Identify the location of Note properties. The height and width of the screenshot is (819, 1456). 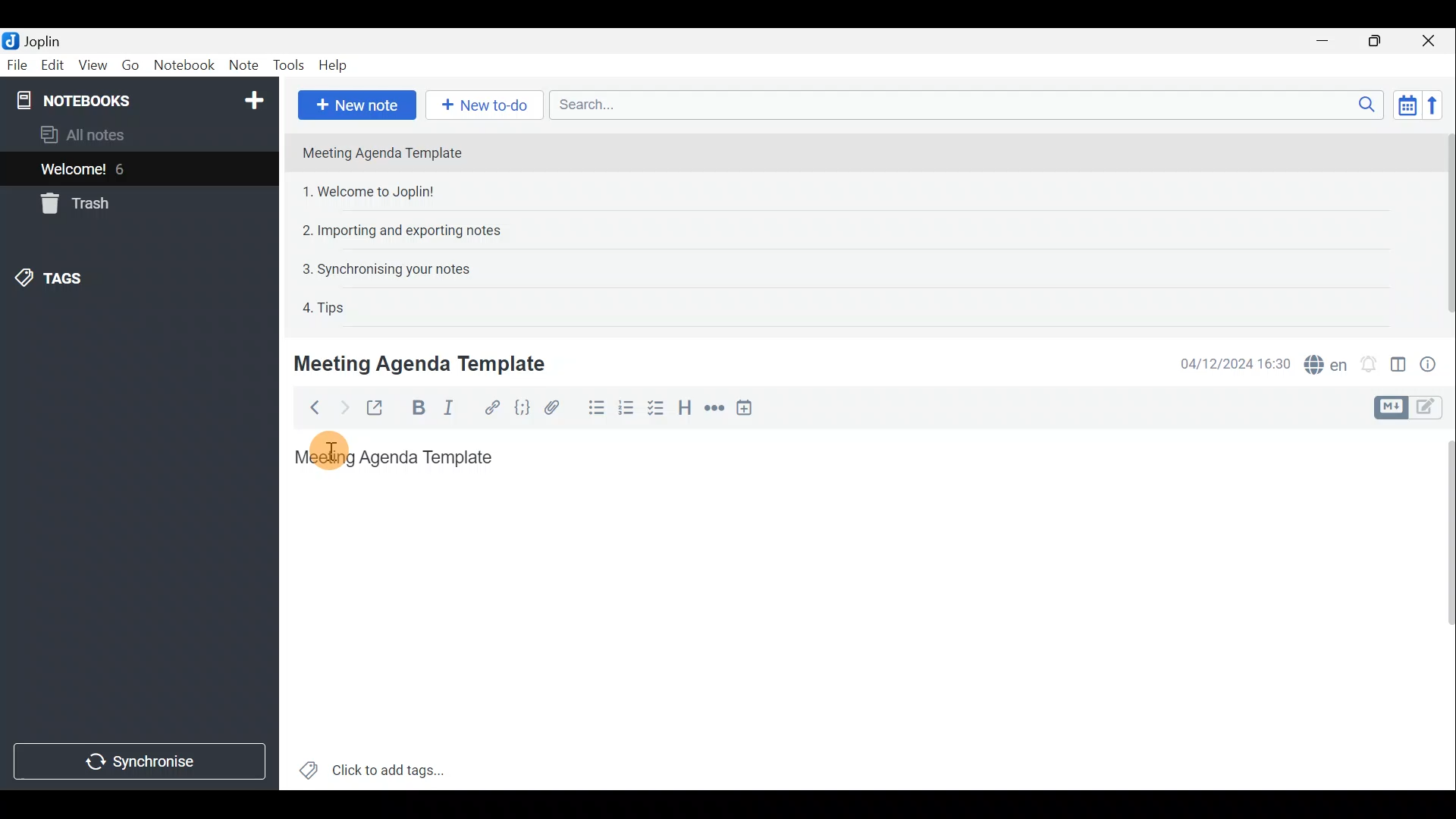
(1433, 363).